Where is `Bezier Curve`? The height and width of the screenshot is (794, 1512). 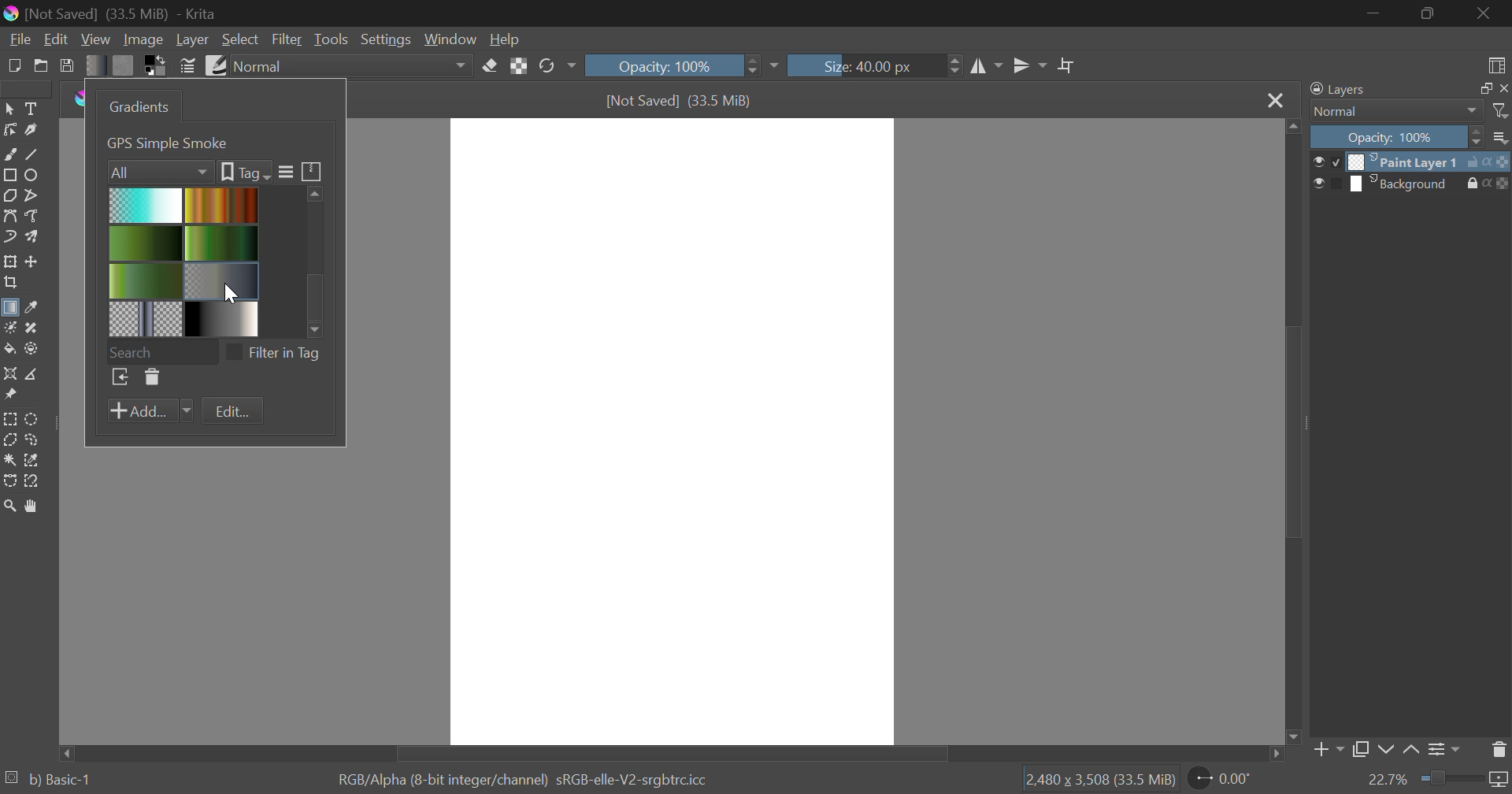 Bezier Curve is located at coordinates (9, 216).